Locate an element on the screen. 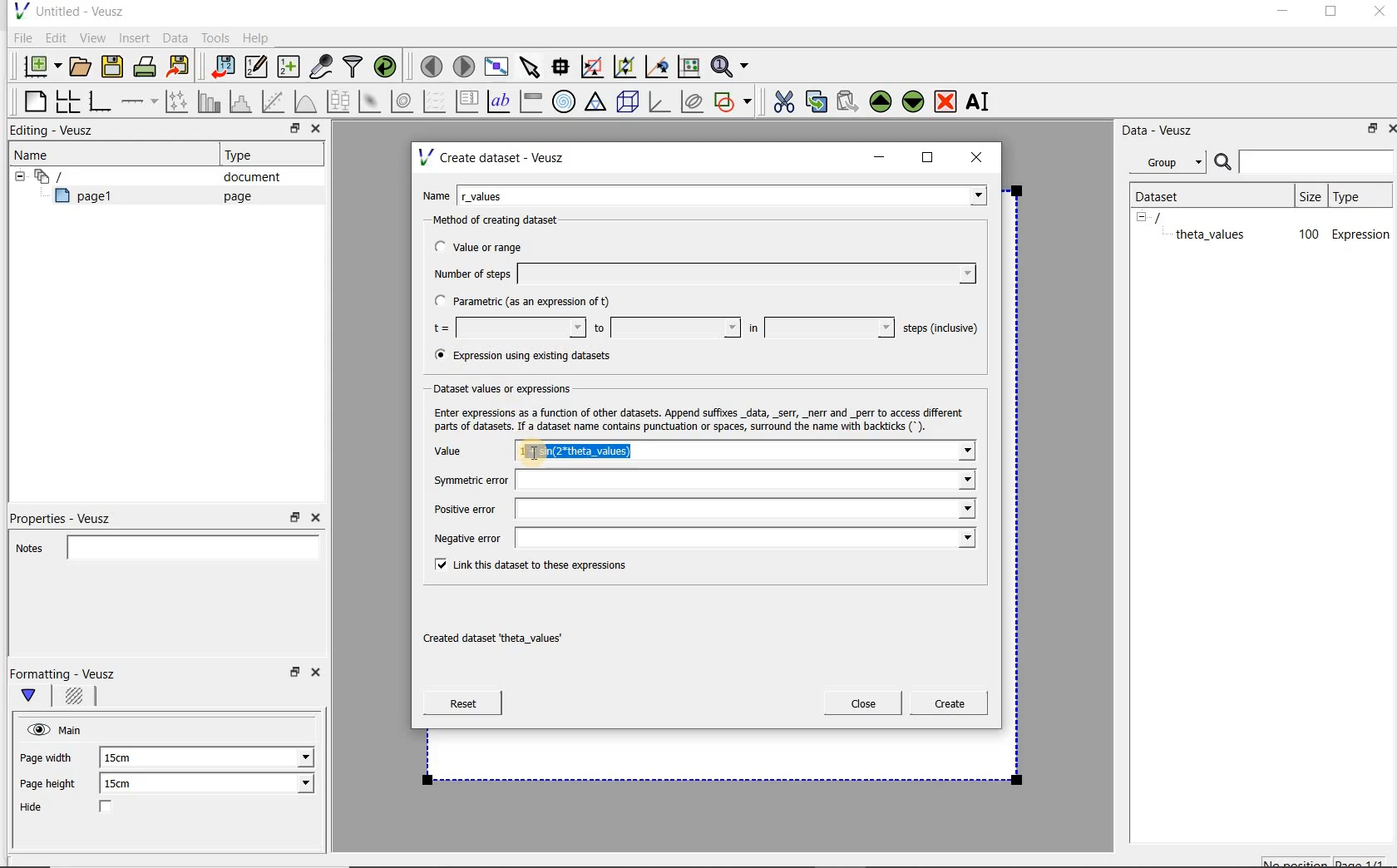  View is located at coordinates (92, 36).